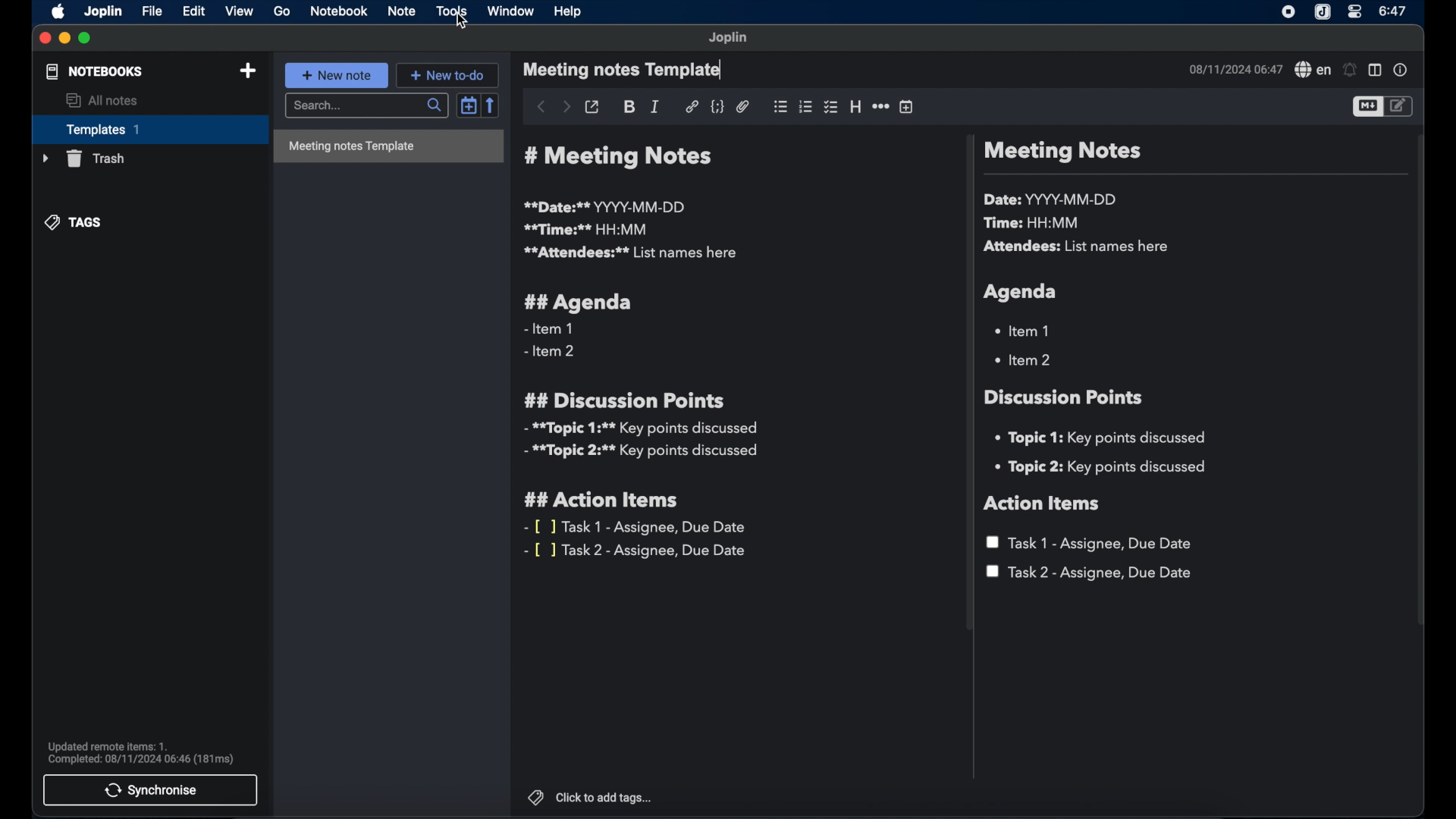 The height and width of the screenshot is (819, 1456). Describe the element at coordinates (780, 105) in the screenshot. I see `bulleted list` at that location.